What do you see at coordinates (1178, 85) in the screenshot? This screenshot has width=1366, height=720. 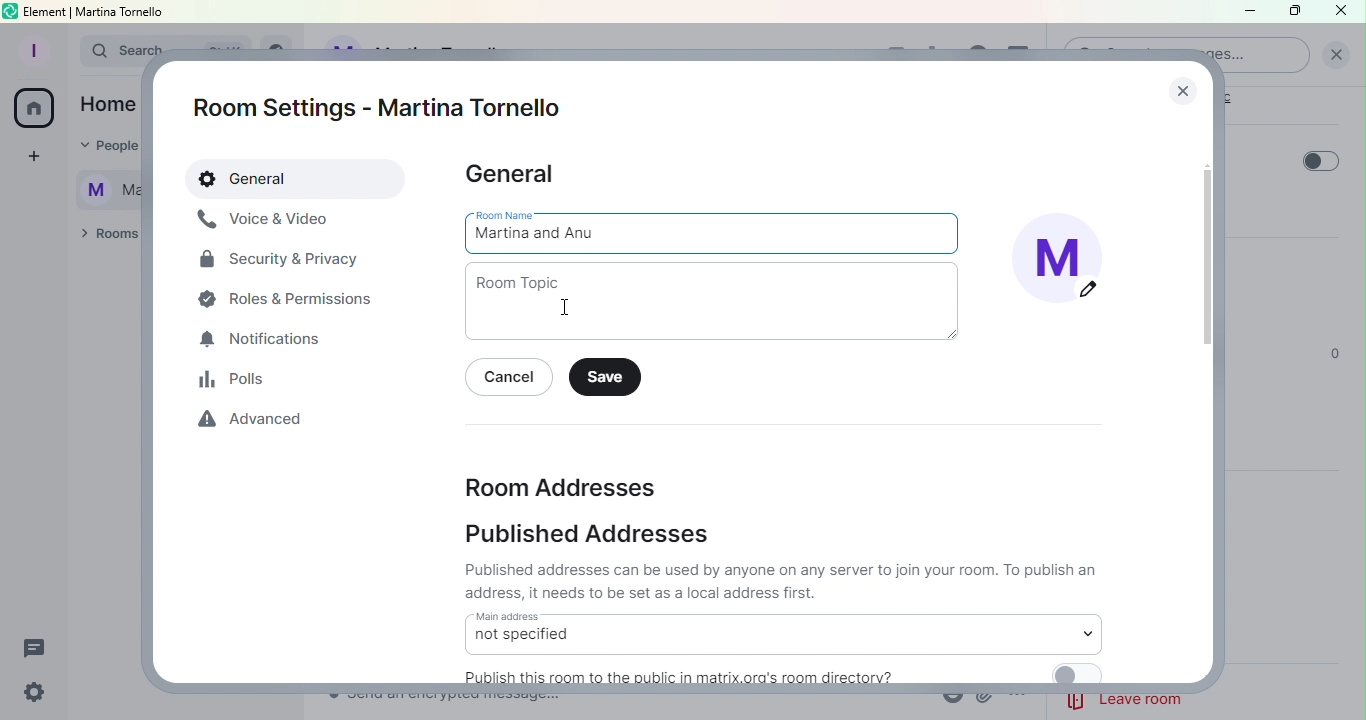 I see `Close` at bounding box center [1178, 85].